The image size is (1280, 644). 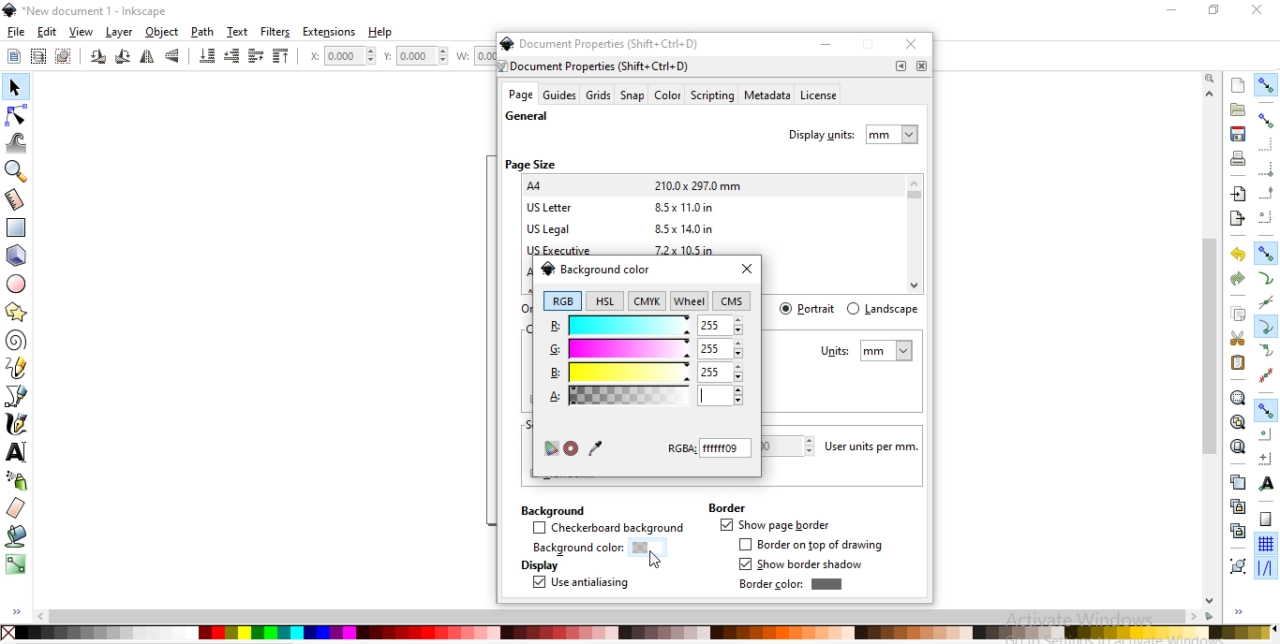 I want to click on undo, so click(x=1235, y=255).